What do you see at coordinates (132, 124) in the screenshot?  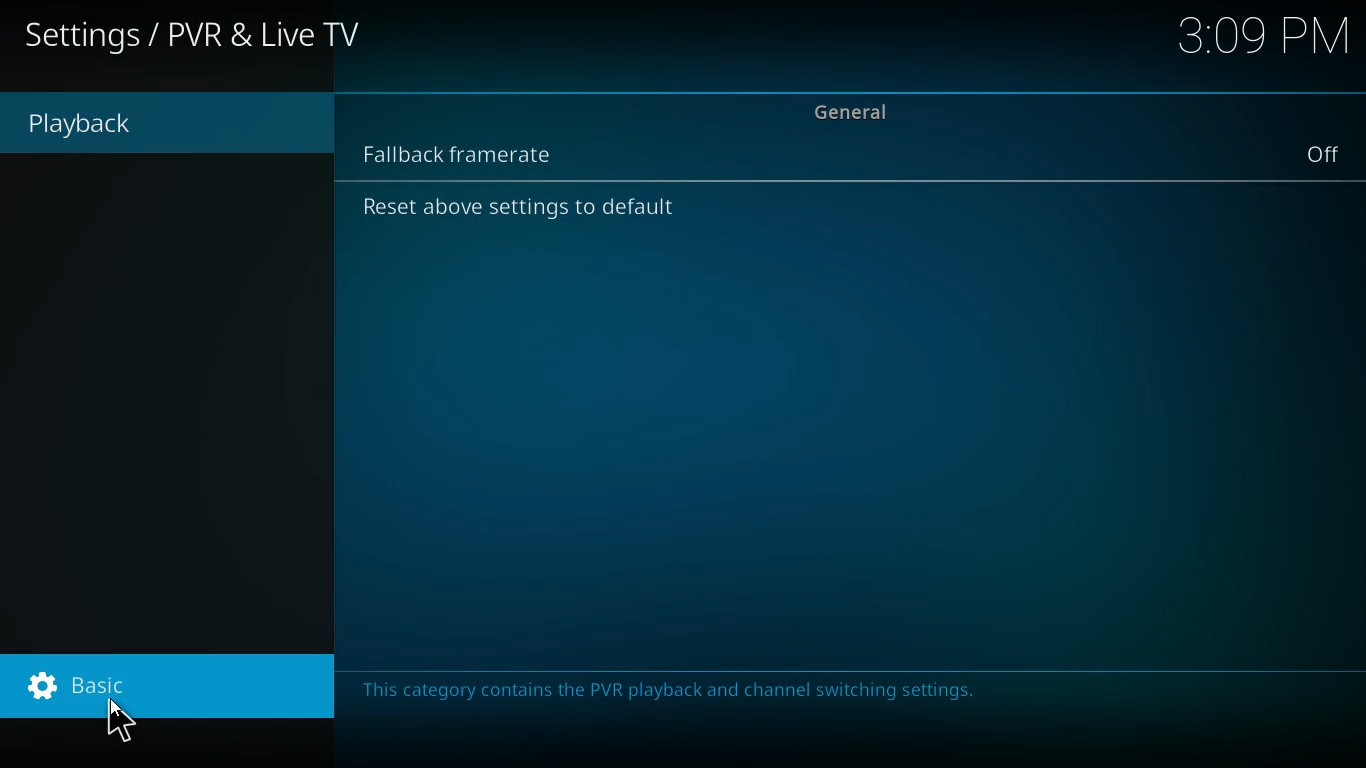 I see `playback ` at bounding box center [132, 124].